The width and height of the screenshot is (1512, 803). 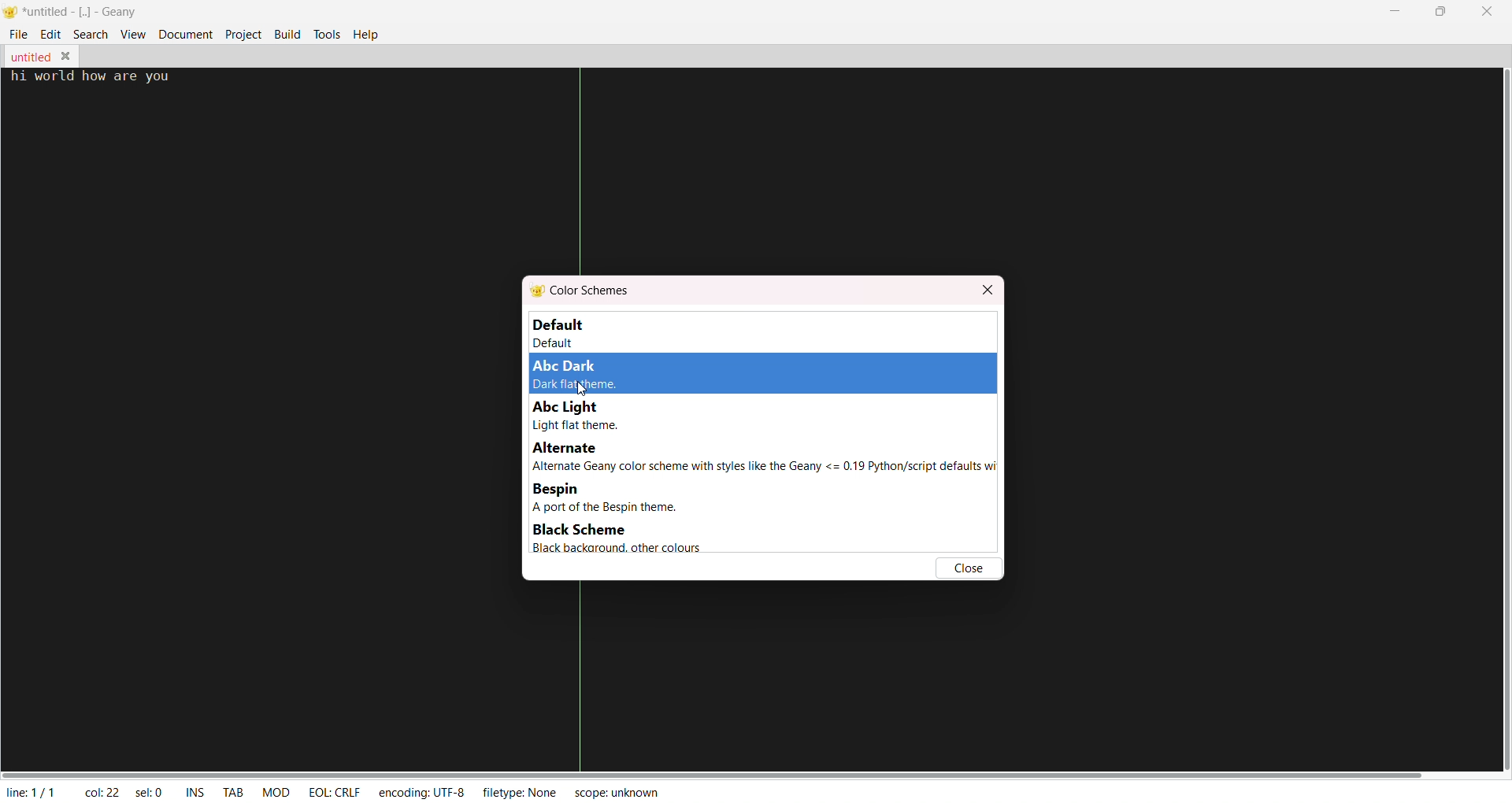 I want to click on alternate geany color scheme, so click(x=764, y=468).